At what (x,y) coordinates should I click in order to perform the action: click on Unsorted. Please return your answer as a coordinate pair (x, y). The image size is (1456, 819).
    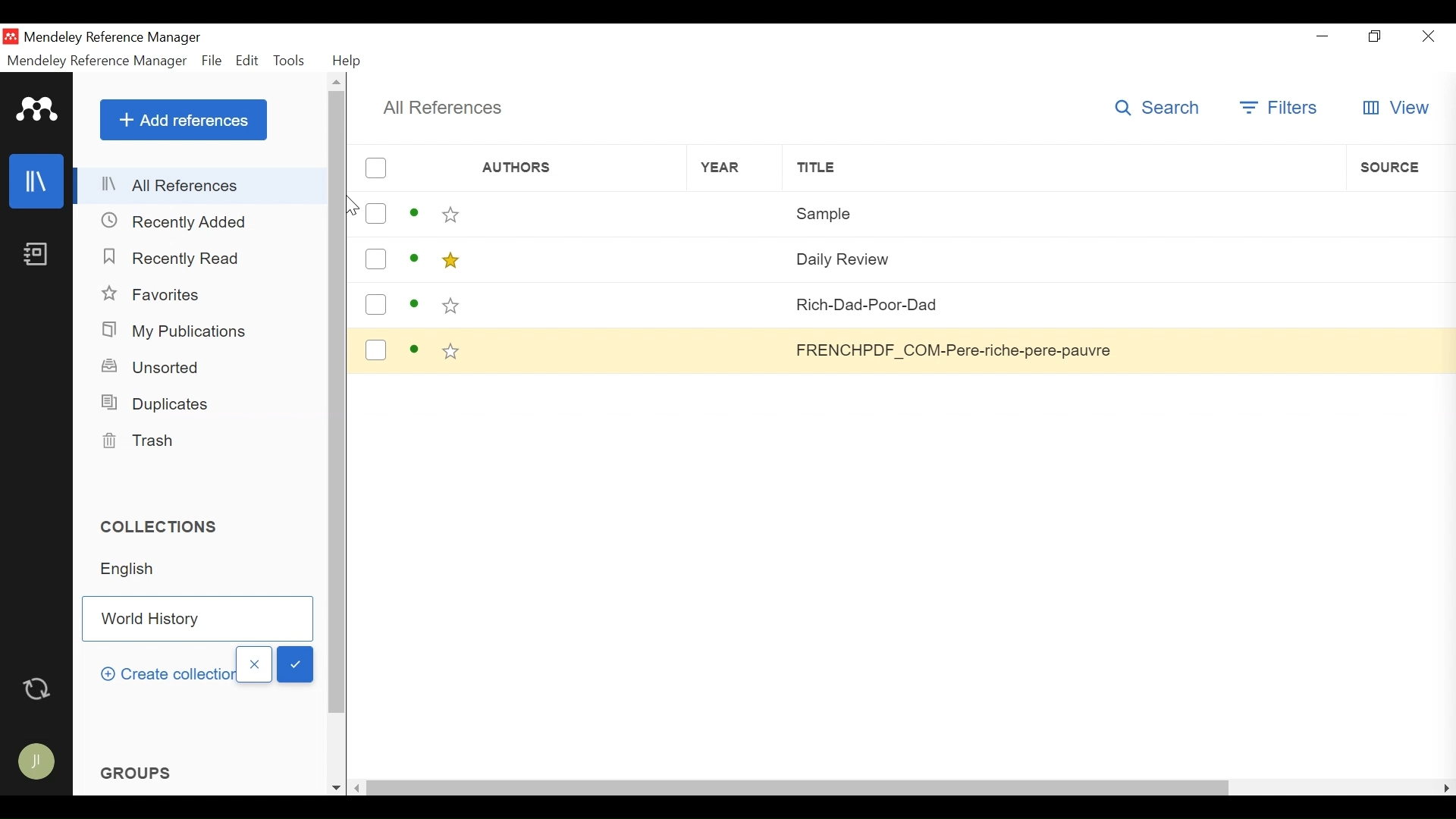
    Looking at the image, I should click on (154, 366).